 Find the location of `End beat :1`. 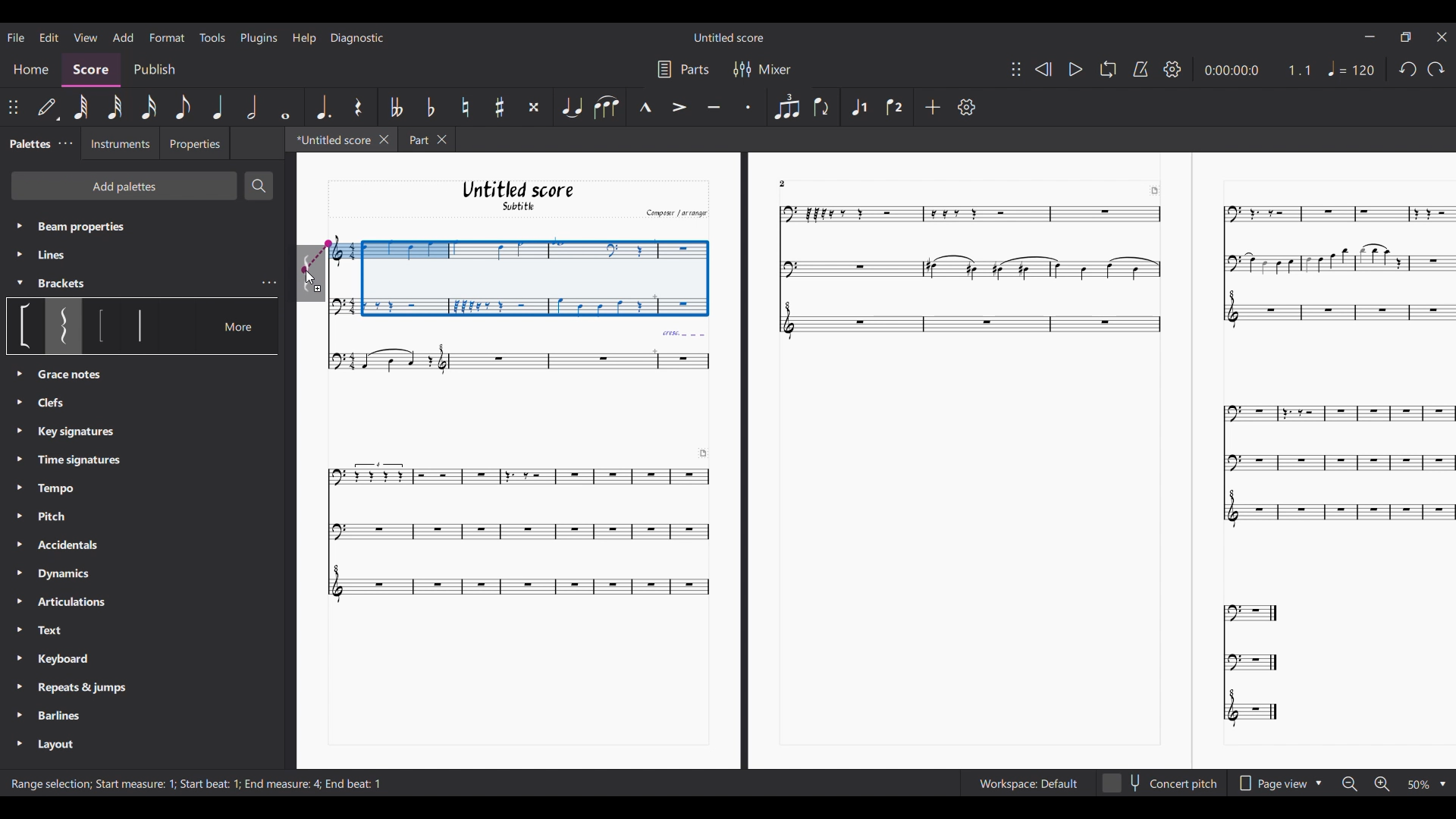

End beat :1 is located at coordinates (354, 783).